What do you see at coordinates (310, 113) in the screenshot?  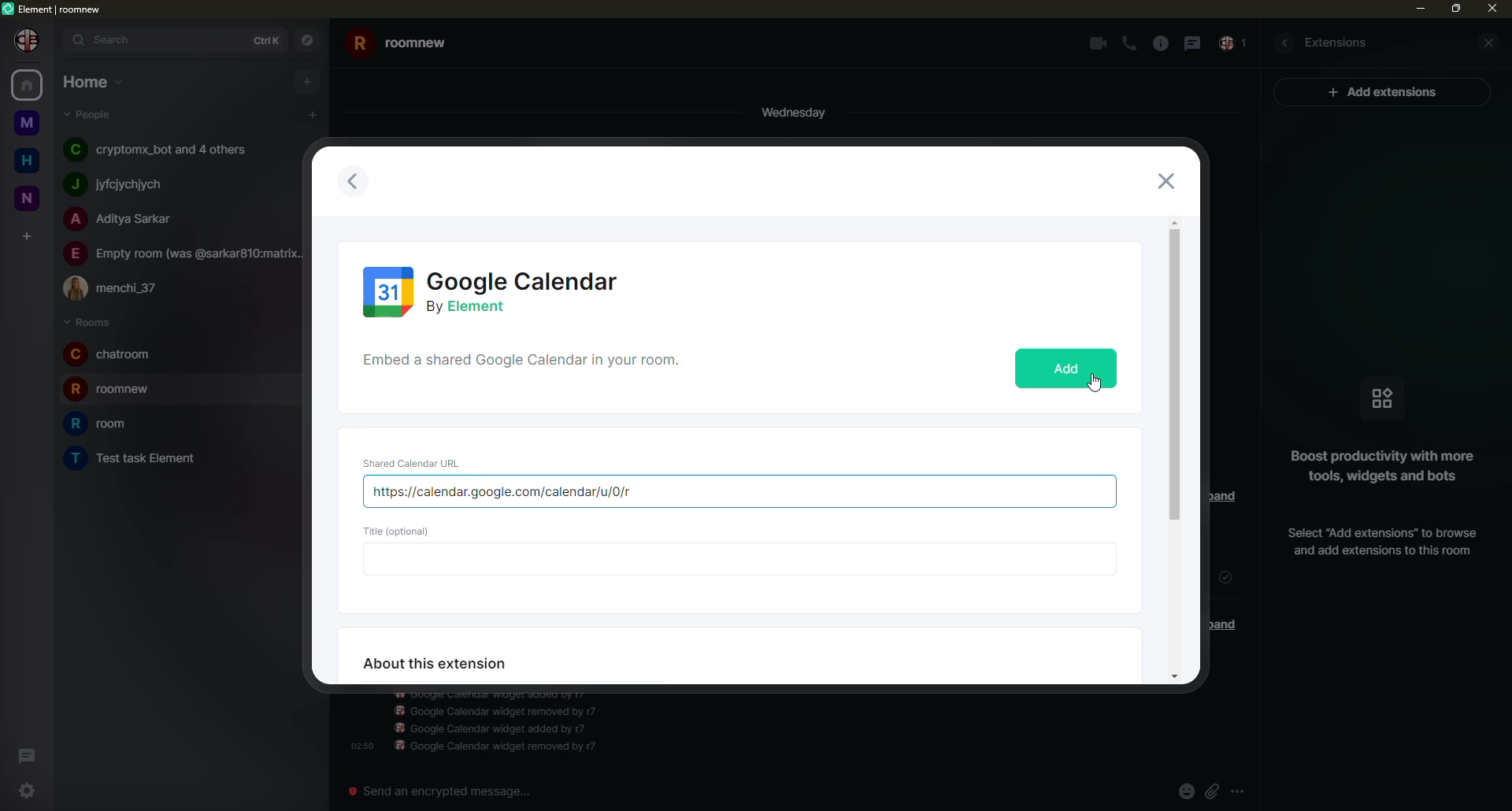 I see `add` at bounding box center [310, 113].